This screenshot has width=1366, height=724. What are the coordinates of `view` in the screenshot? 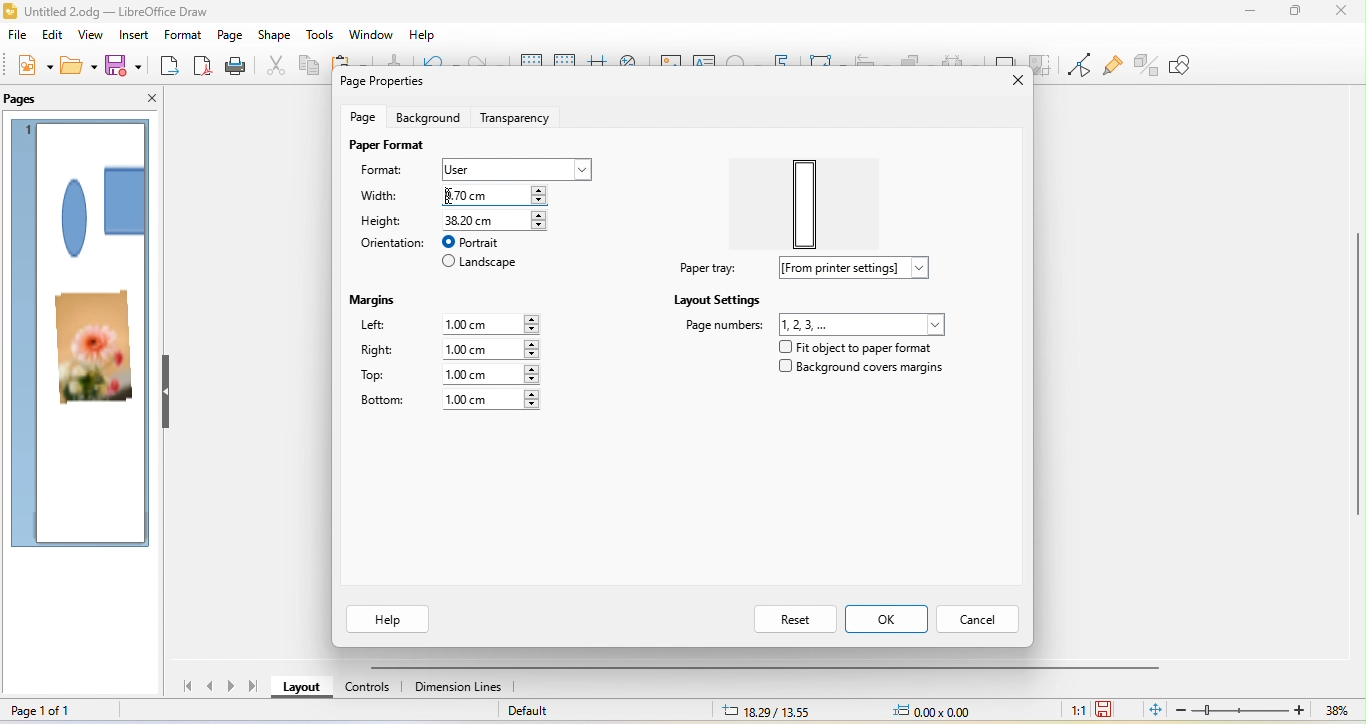 It's located at (90, 37).